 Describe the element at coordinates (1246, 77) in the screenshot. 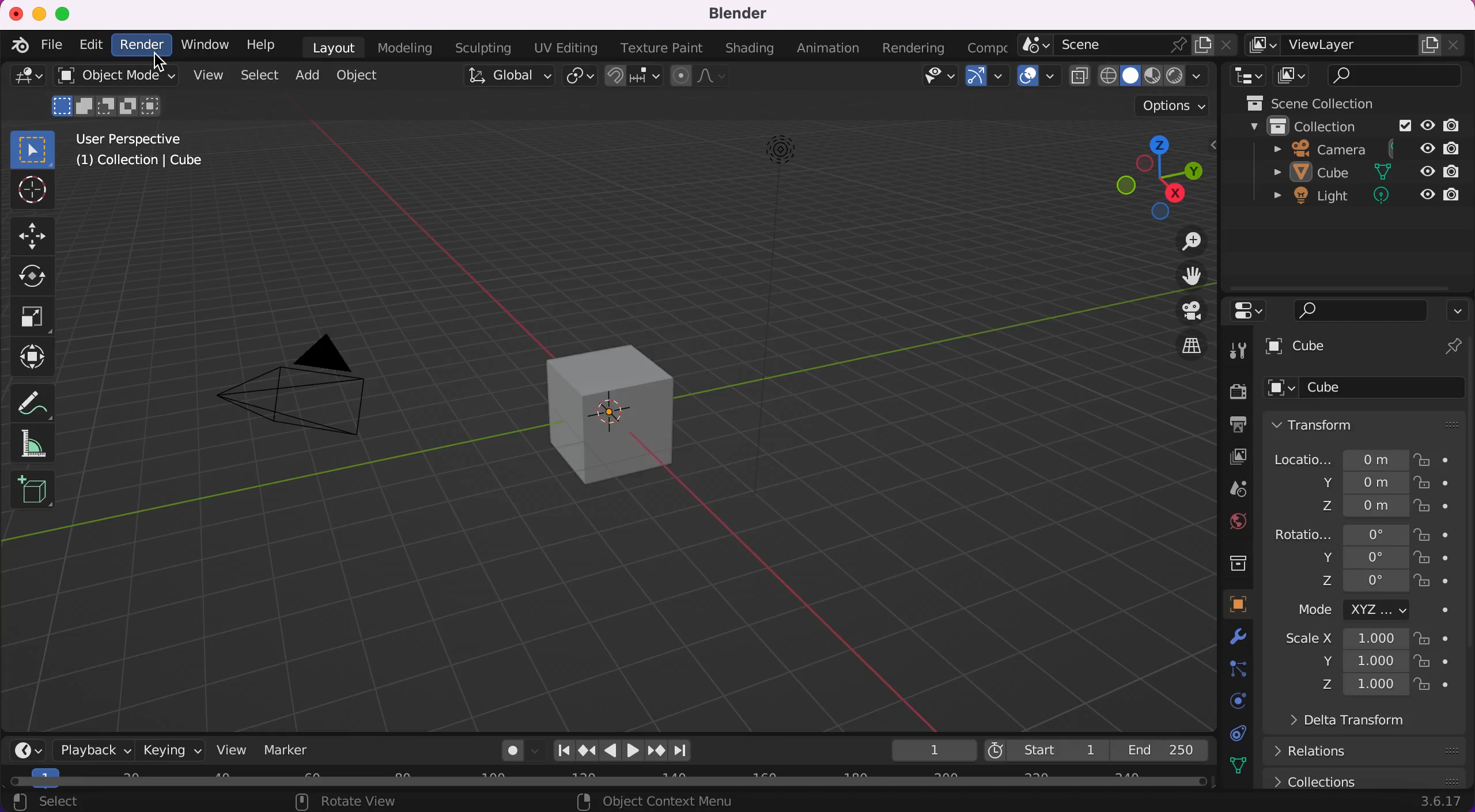

I see `editor type` at that location.